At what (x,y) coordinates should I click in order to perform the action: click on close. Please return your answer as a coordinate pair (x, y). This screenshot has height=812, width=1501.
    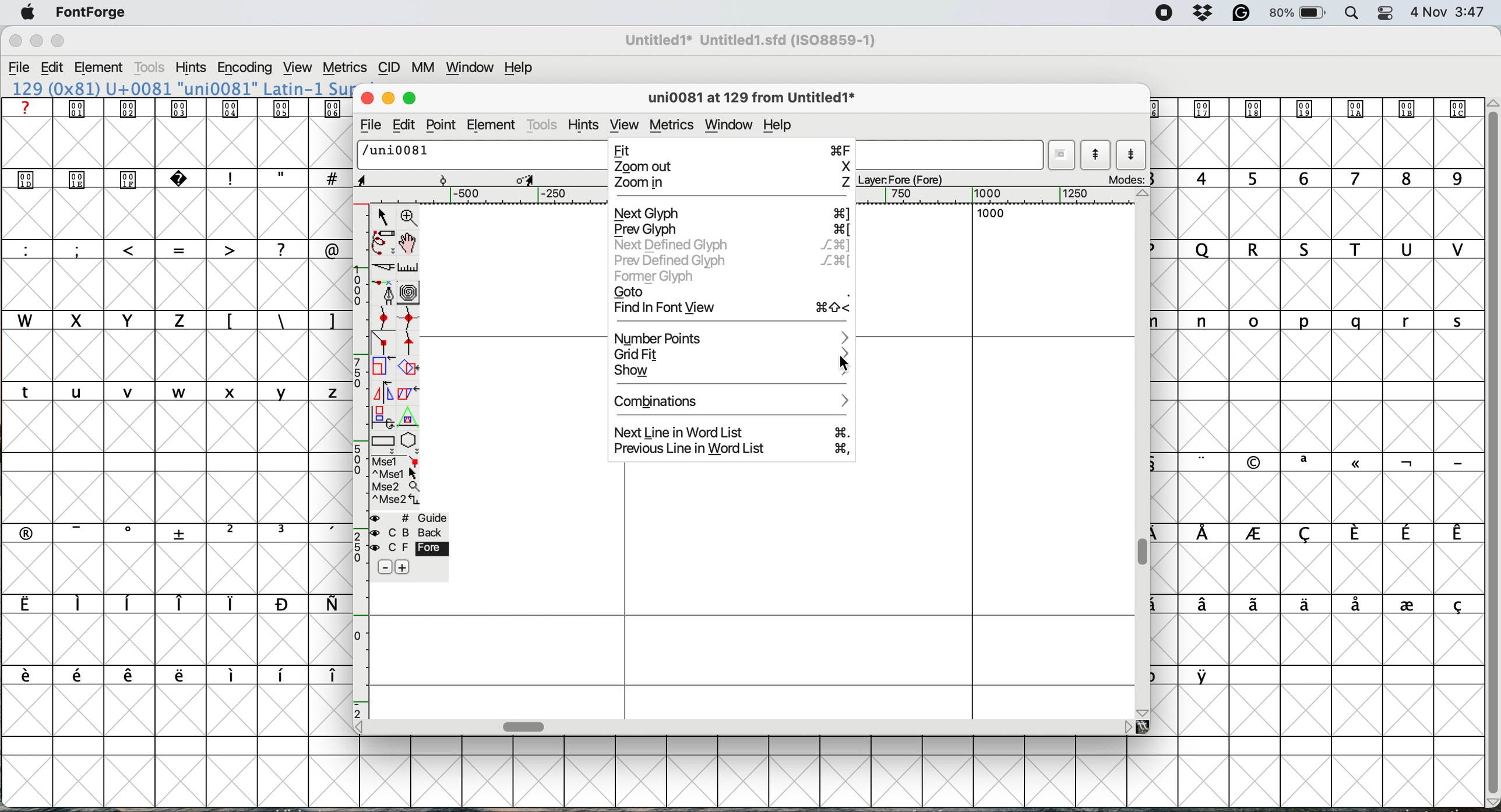
    Looking at the image, I should click on (369, 100).